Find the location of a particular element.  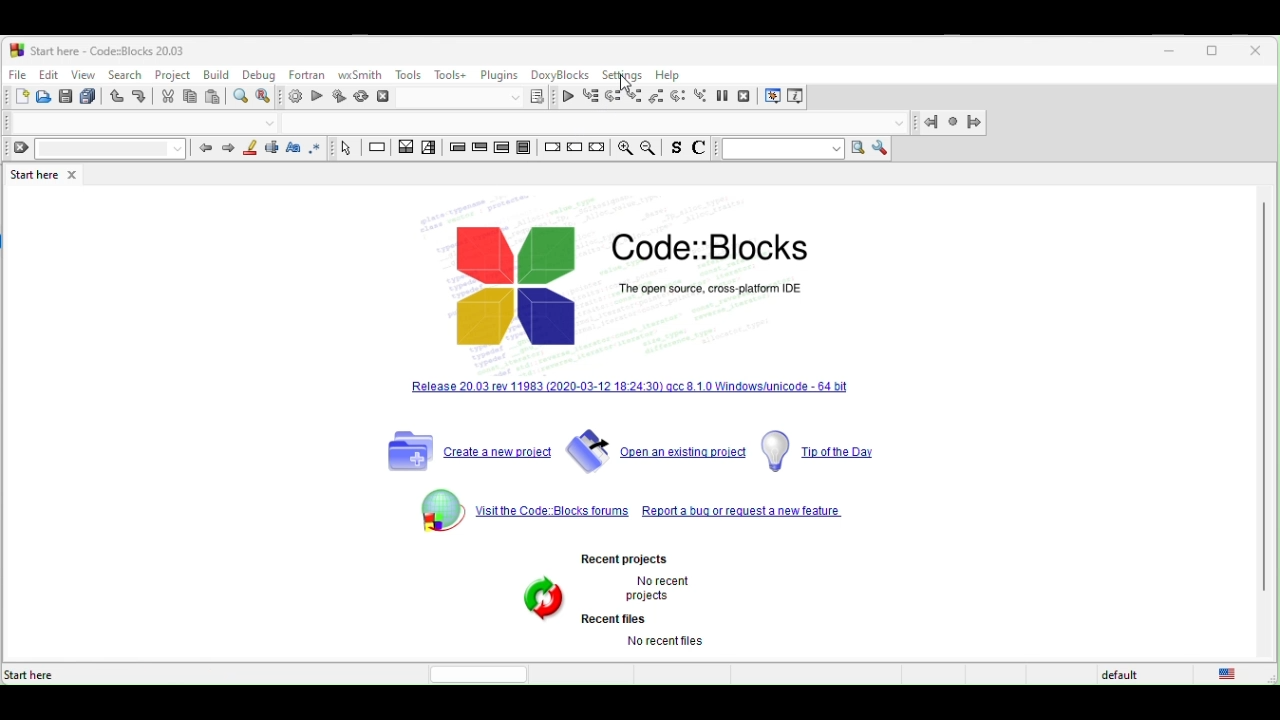

help is located at coordinates (683, 74).